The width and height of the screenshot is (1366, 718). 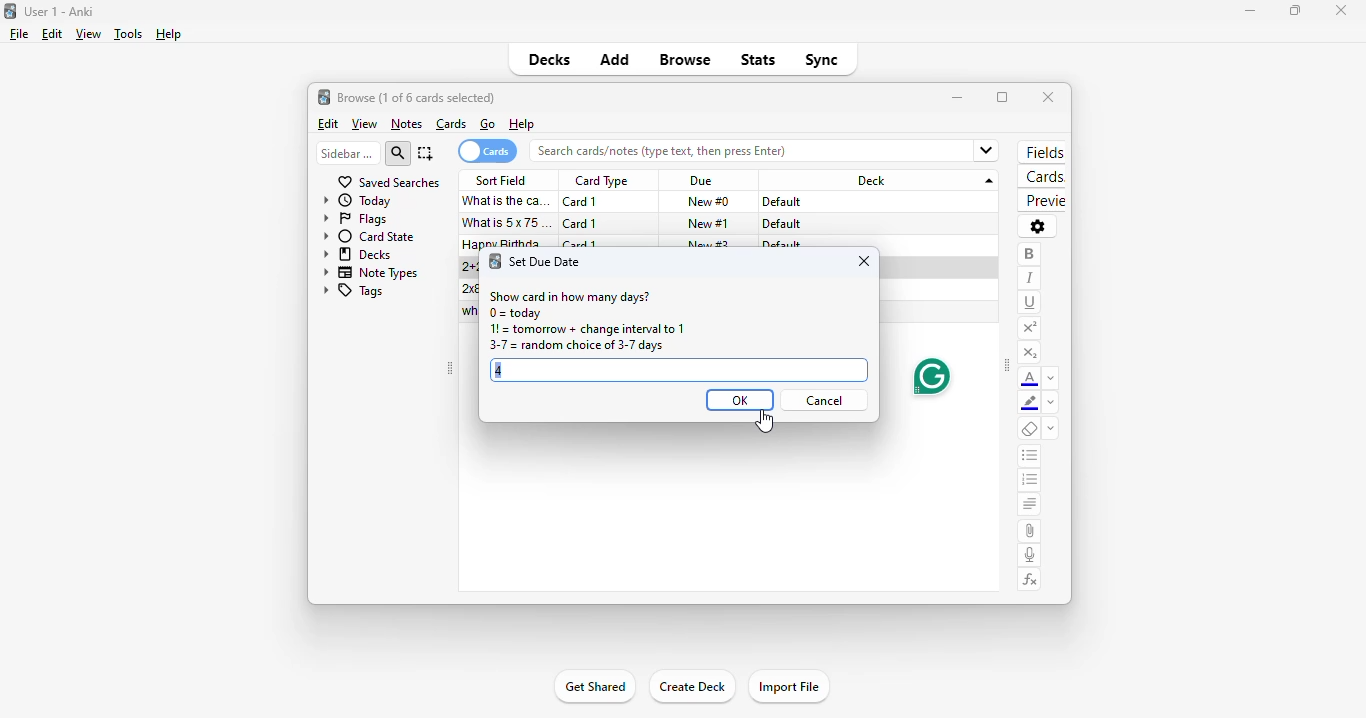 What do you see at coordinates (882, 180) in the screenshot?
I see `deck` at bounding box center [882, 180].